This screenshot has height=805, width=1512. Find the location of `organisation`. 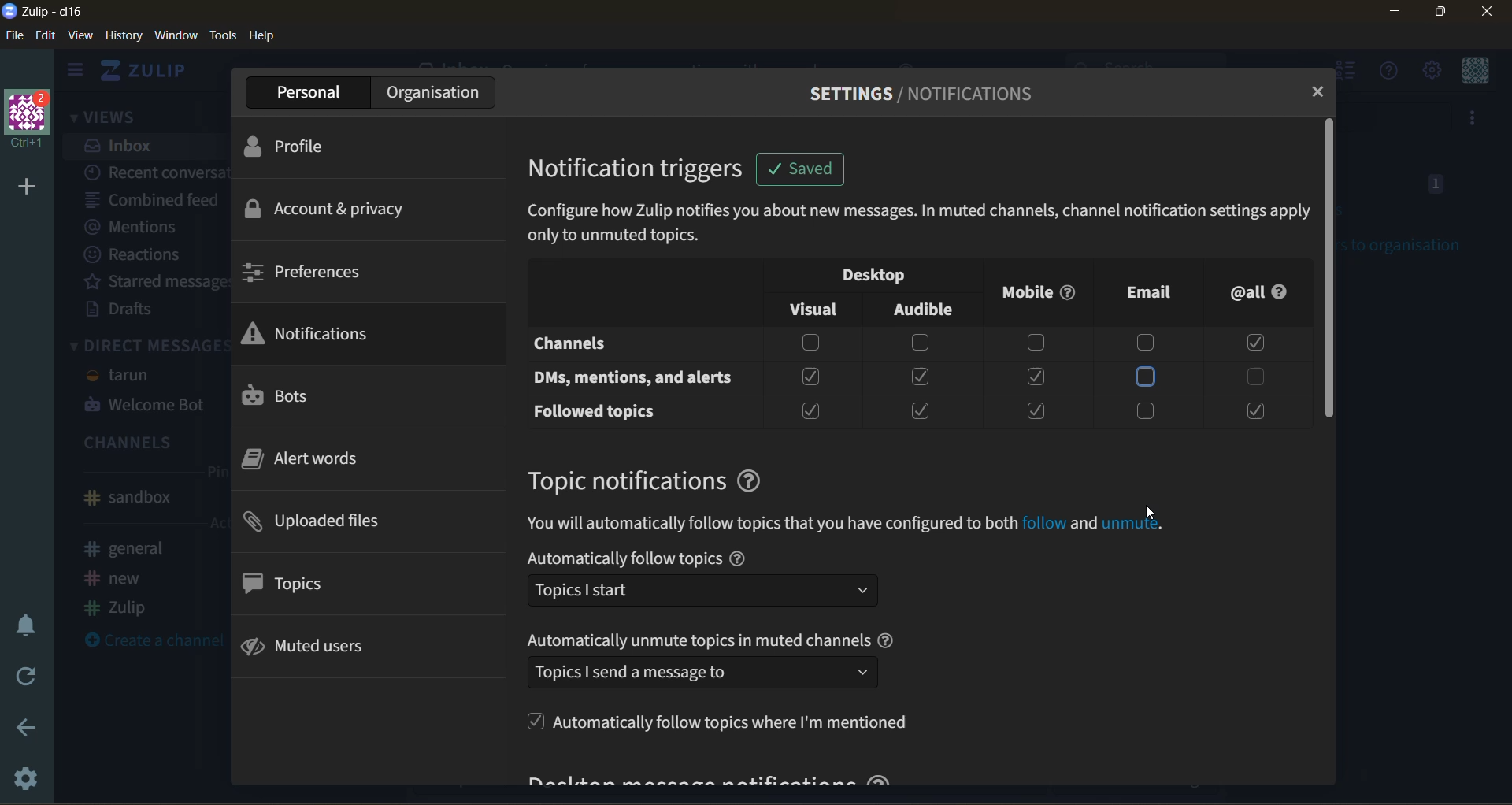

organisation is located at coordinates (430, 93).